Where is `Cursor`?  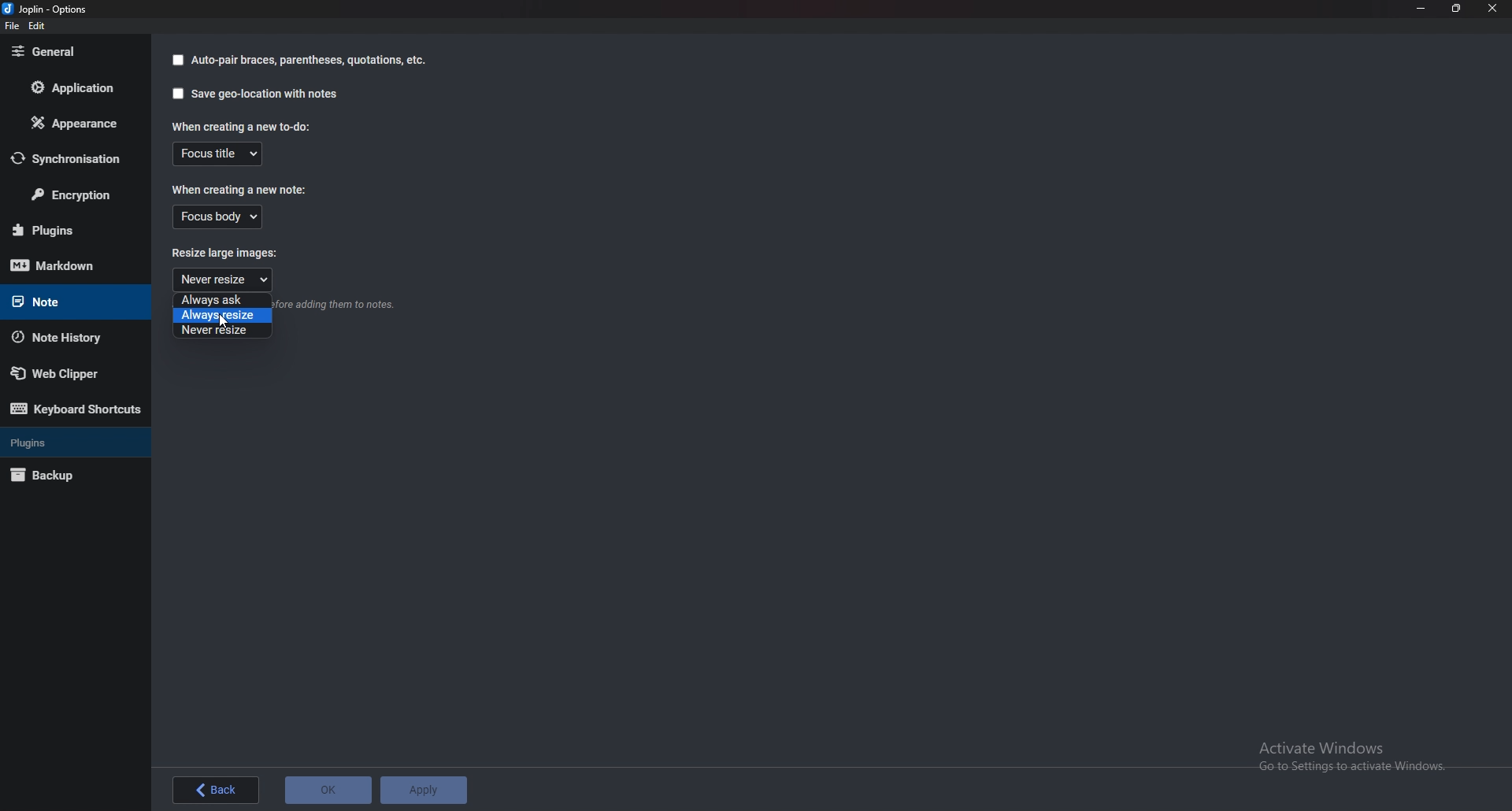 Cursor is located at coordinates (223, 322).